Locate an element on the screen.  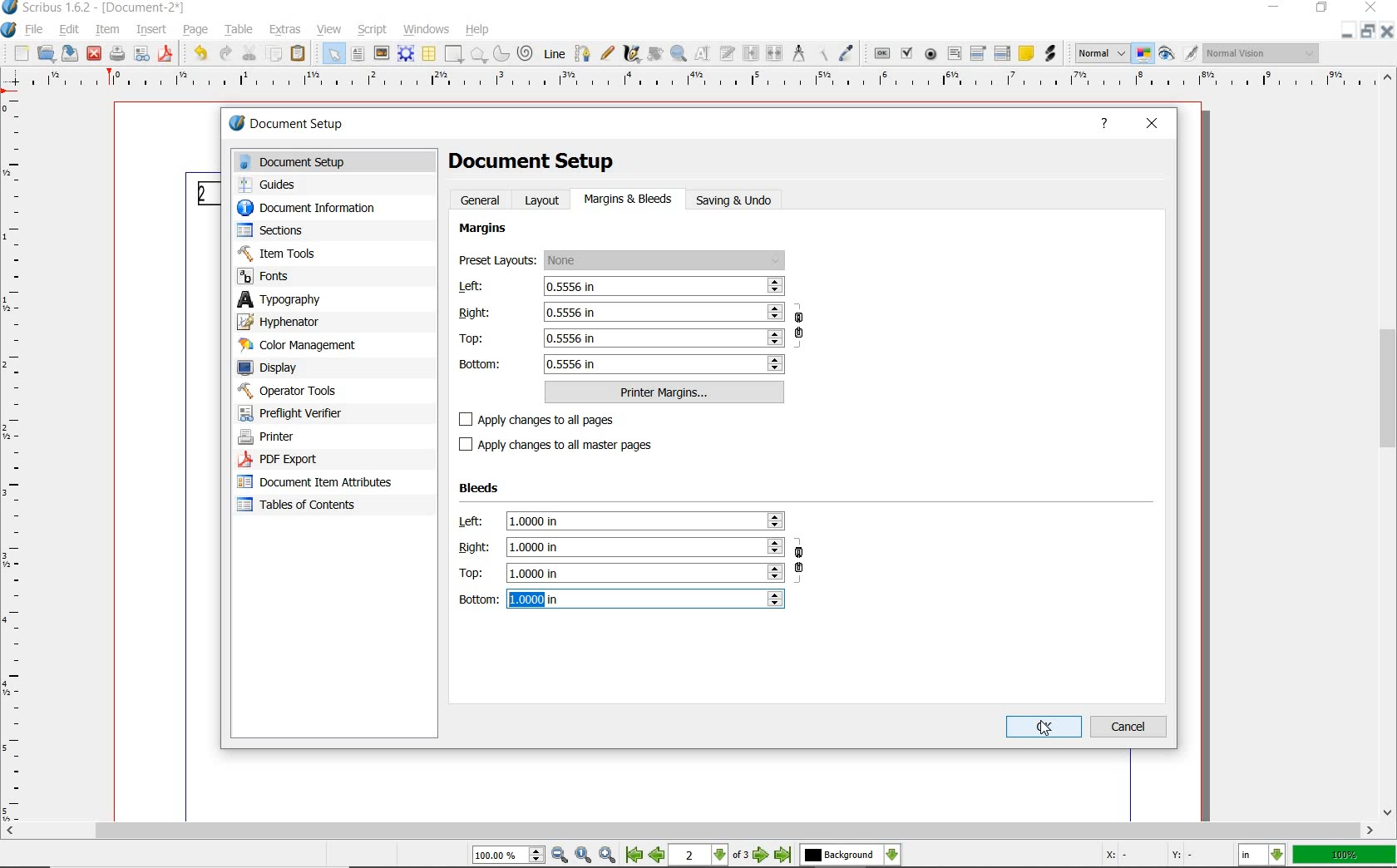
zoom factor 100% is located at coordinates (1345, 856).